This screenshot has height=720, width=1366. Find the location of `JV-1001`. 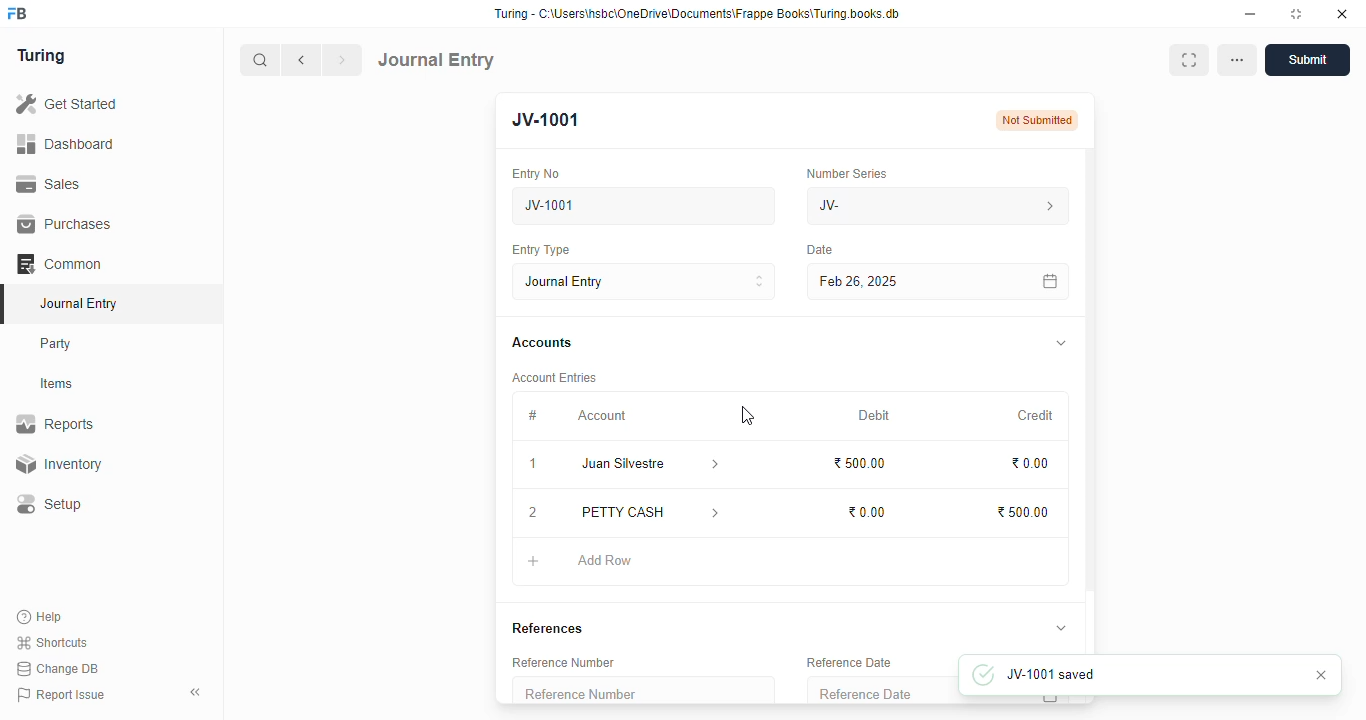

JV-1001 is located at coordinates (548, 120).